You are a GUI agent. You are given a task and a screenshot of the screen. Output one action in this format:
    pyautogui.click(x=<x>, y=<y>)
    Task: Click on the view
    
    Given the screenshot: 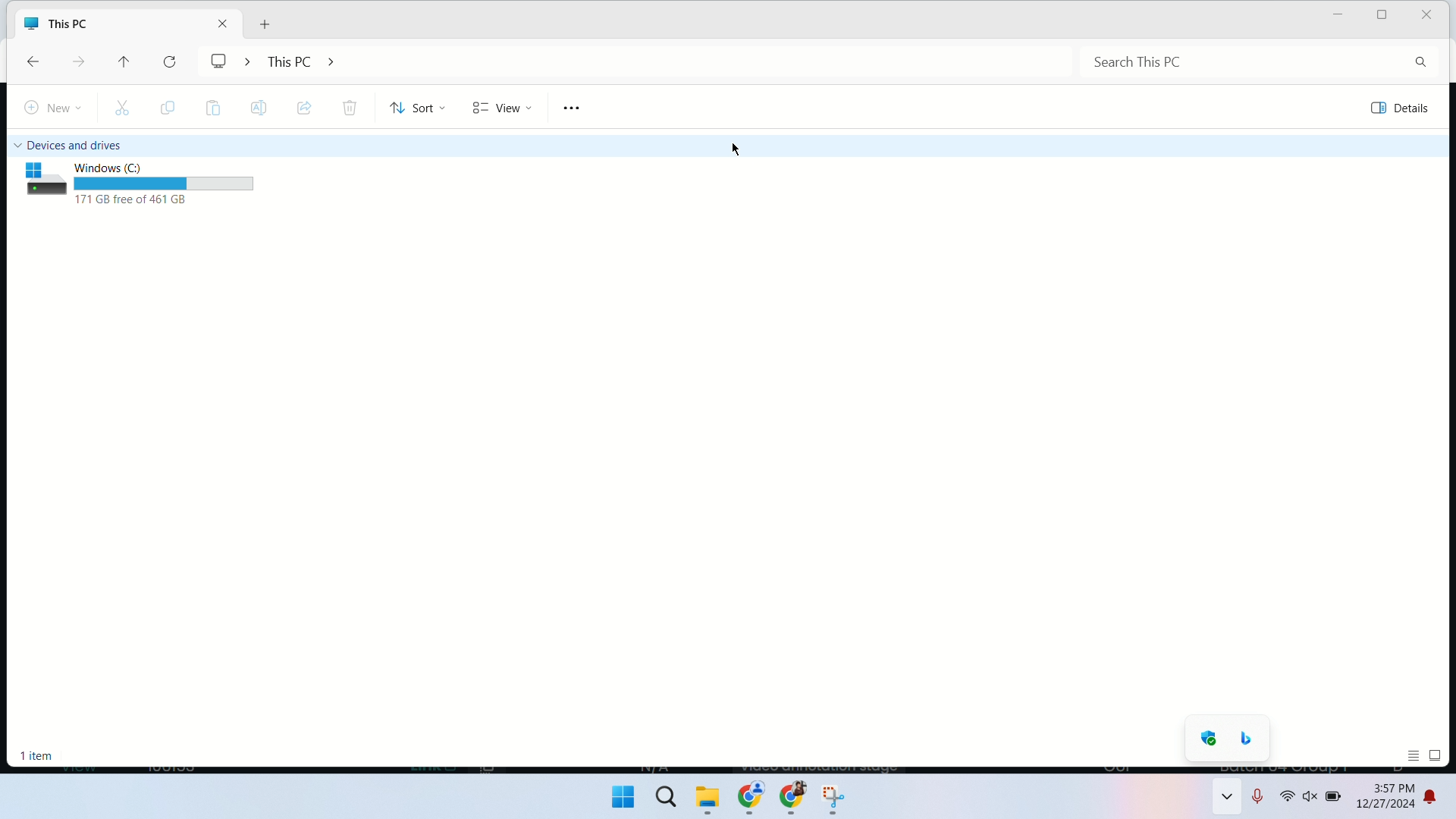 What is the action you would take?
    pyautogui.click(x=501, y=109)
    